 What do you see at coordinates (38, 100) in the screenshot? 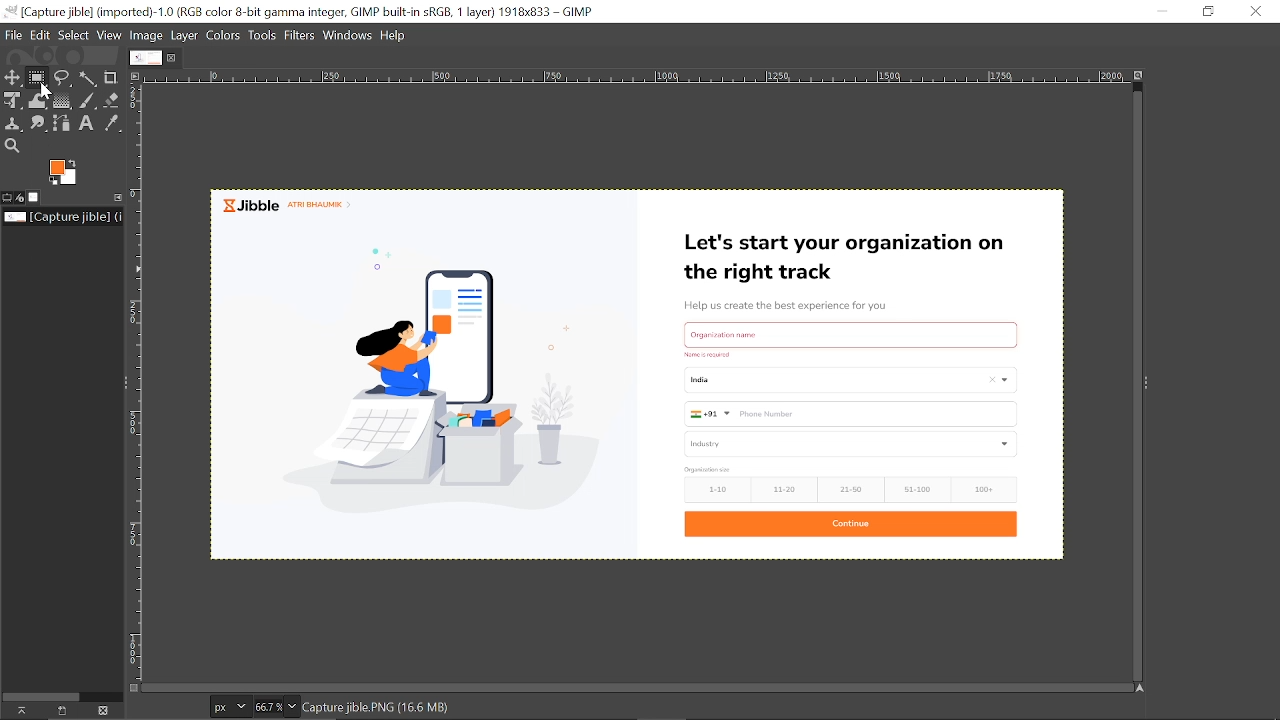
I see `Wrap tool` at bounding box center [38, 100].